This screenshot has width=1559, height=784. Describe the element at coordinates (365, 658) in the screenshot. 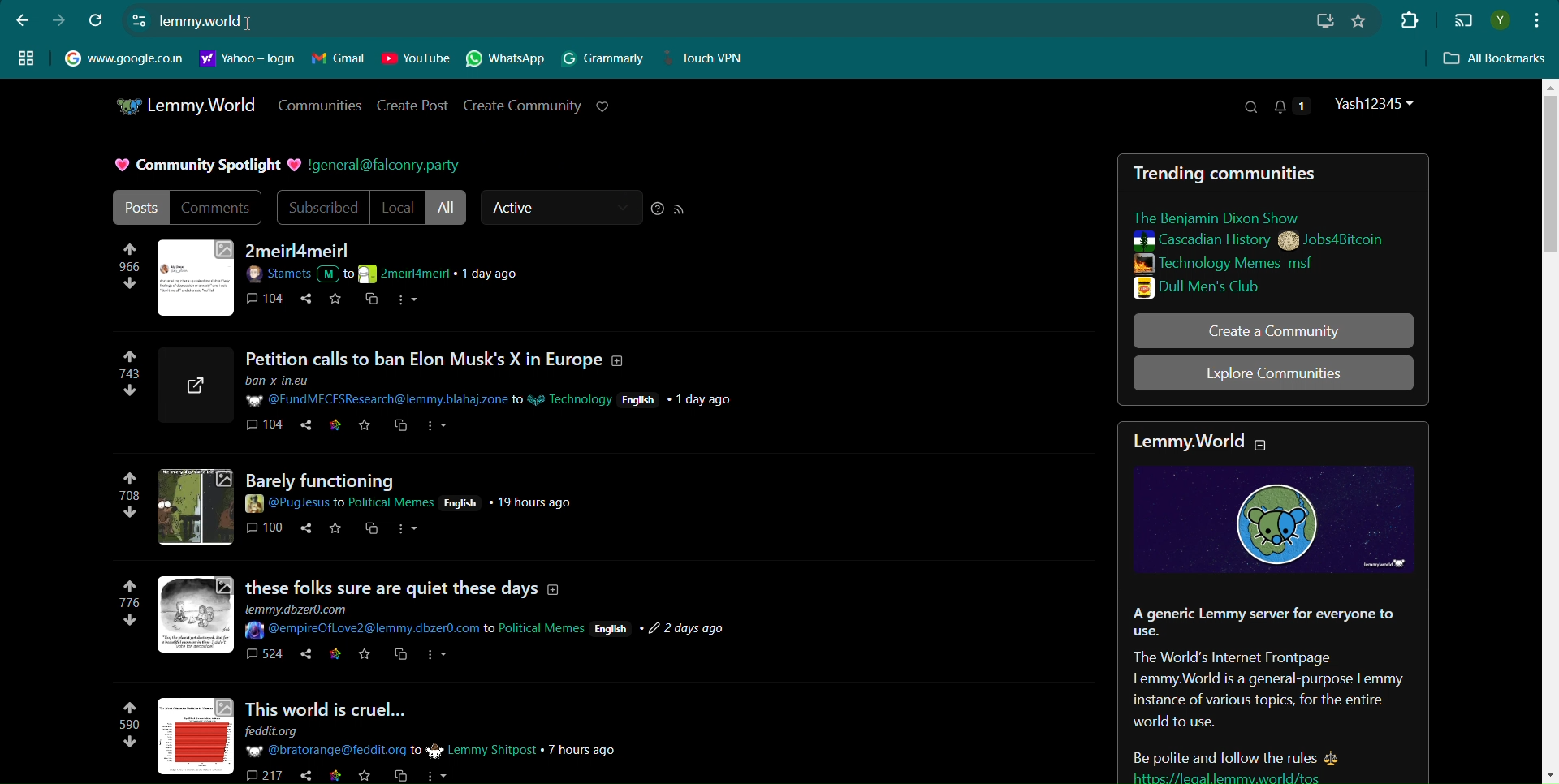

I see `star` at that location.